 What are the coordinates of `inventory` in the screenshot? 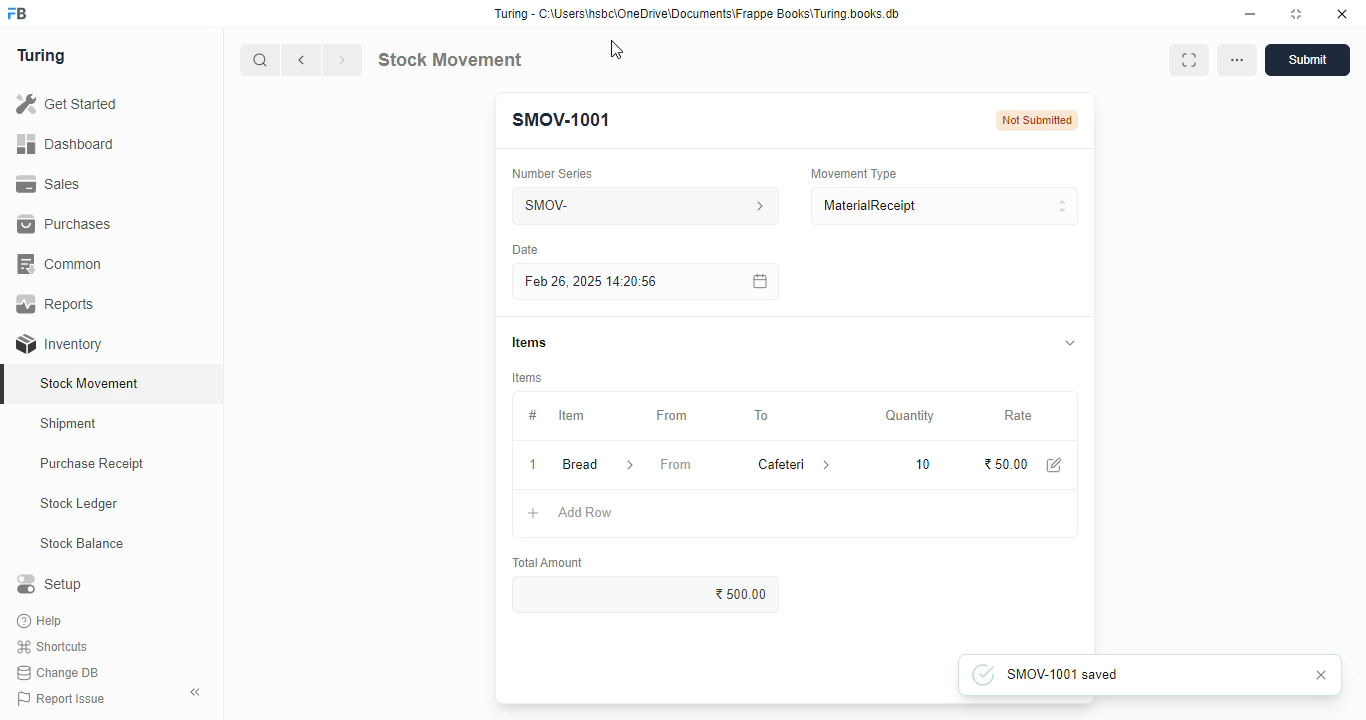 It's located at (59, 344).